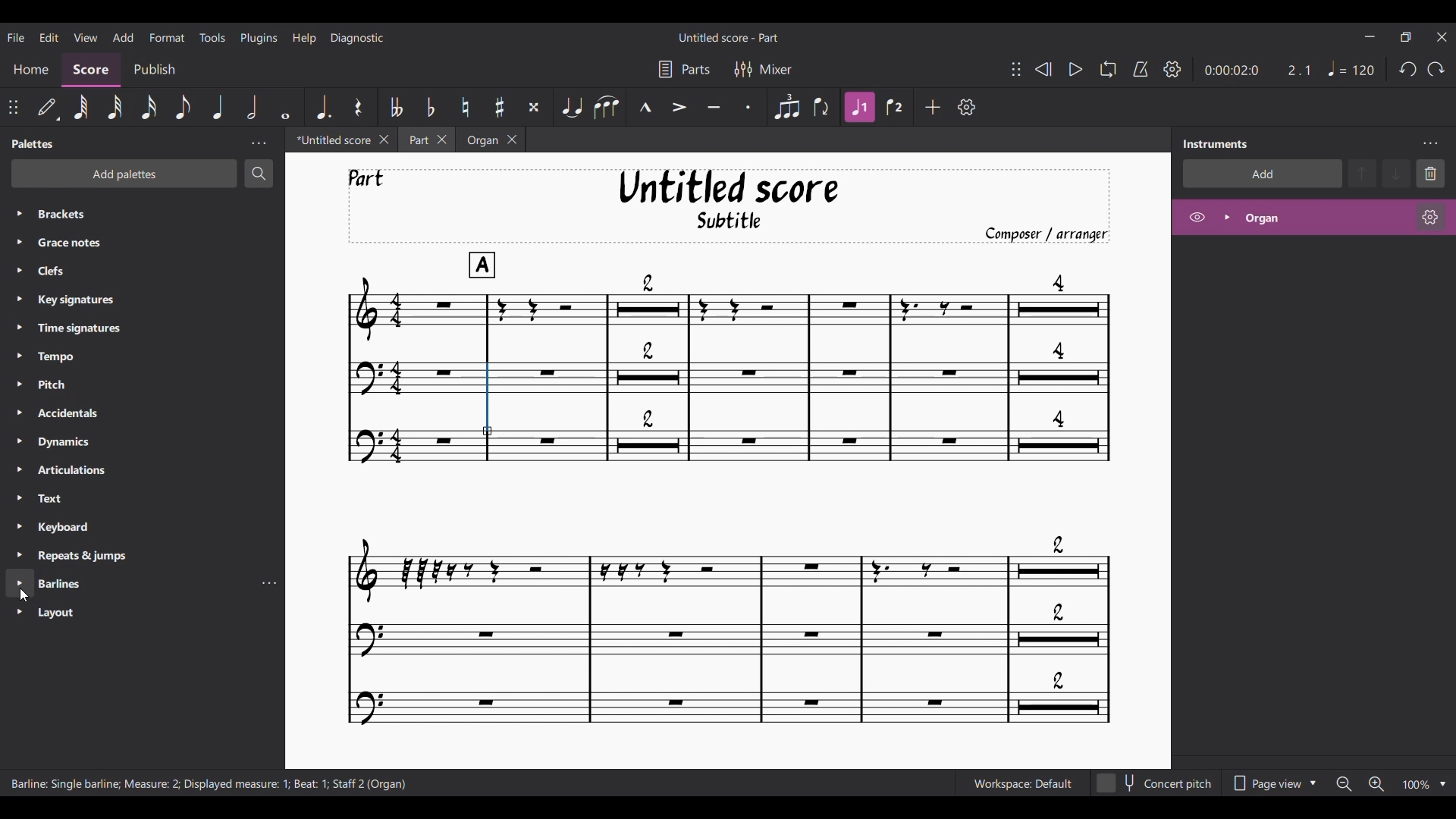 The width and height of the screenshot is (1456, 819). What do you see at coordinates (209, 784) in the screenshot?
I see `Description of current selection` at bounding box center [209, 784].